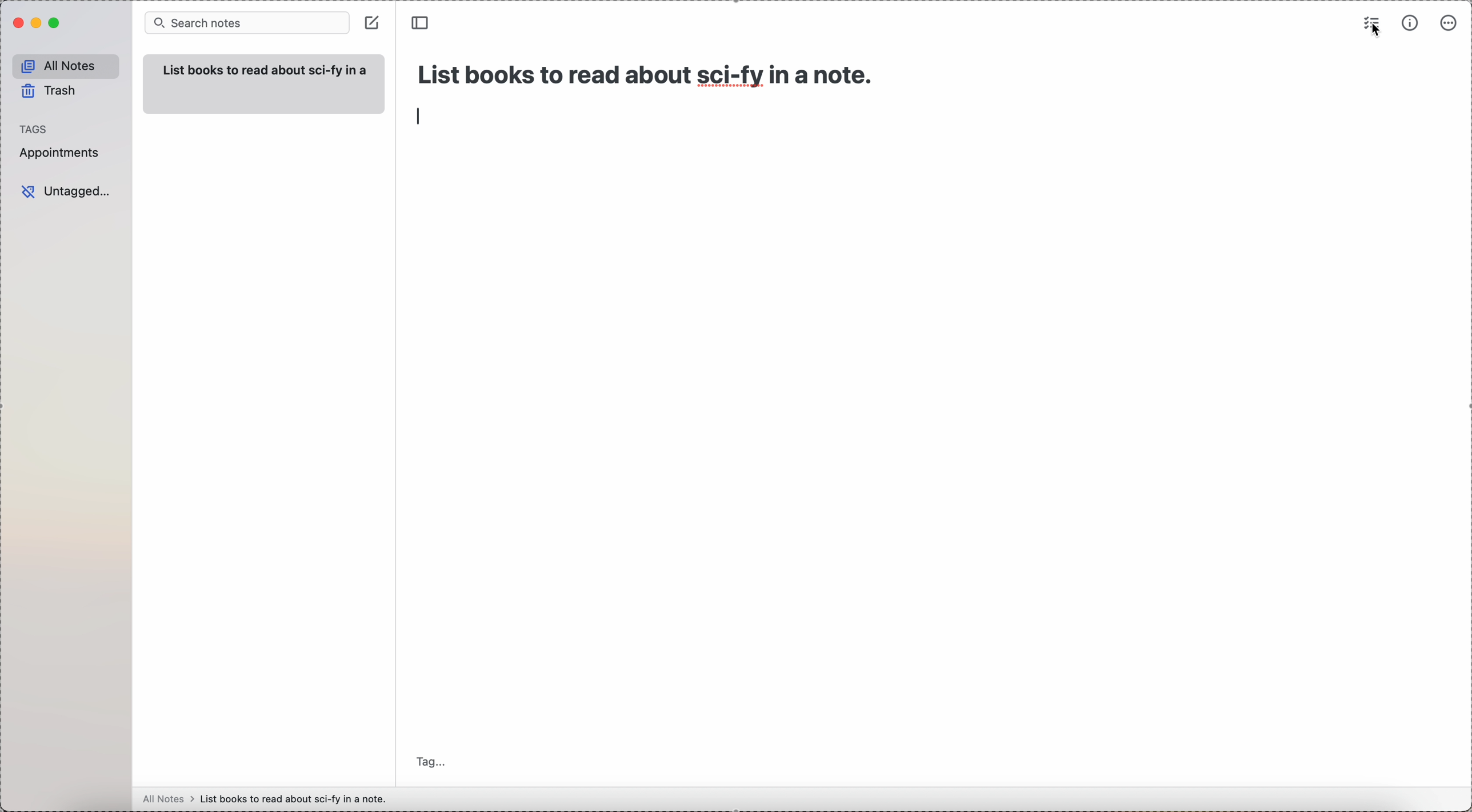 This screenshot has height=812, width=1472. Describe the element at coordinates (1407, 23) in the screenshot. I see `metrics` at that location.